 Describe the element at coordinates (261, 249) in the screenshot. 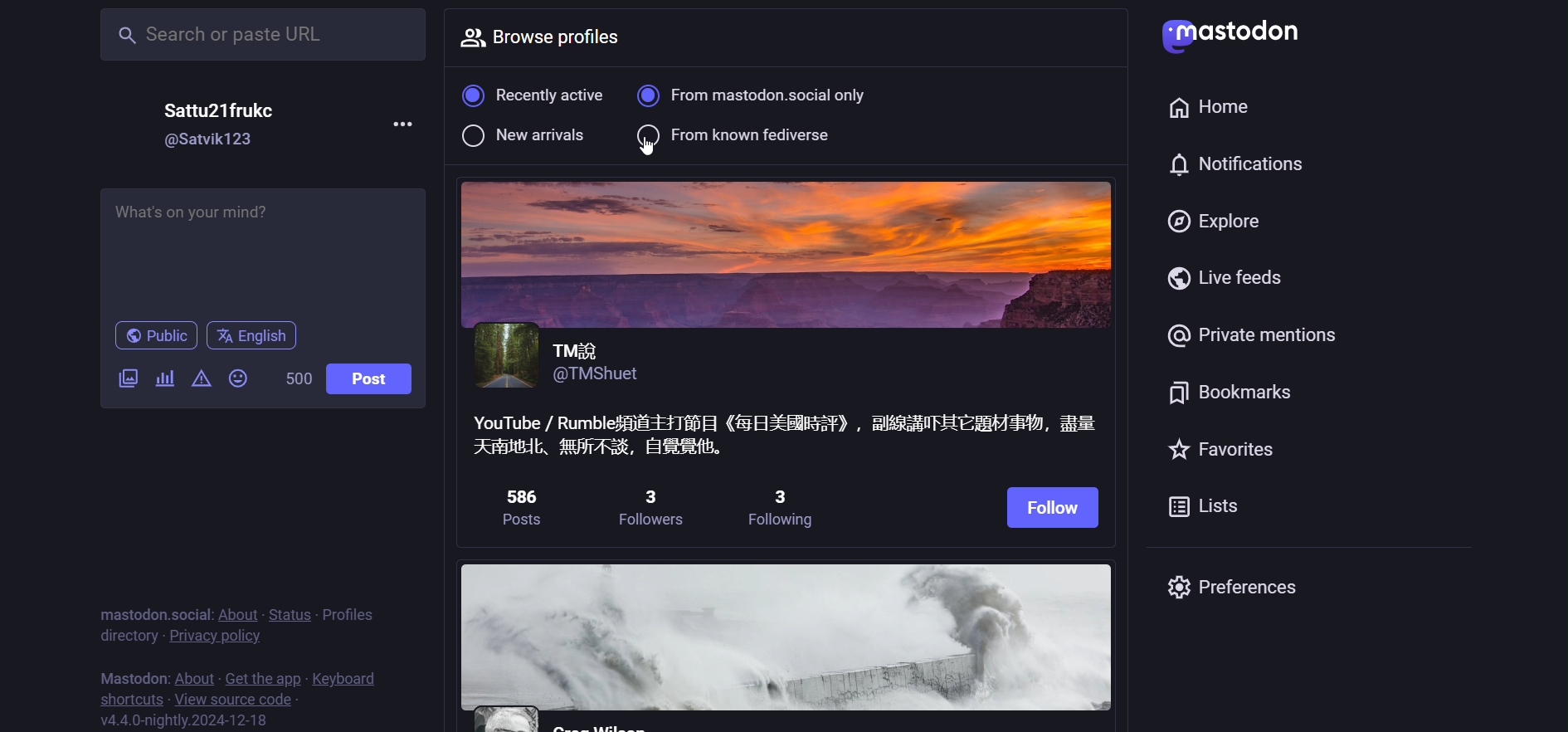

I see `What's on your mind? |` at that location.